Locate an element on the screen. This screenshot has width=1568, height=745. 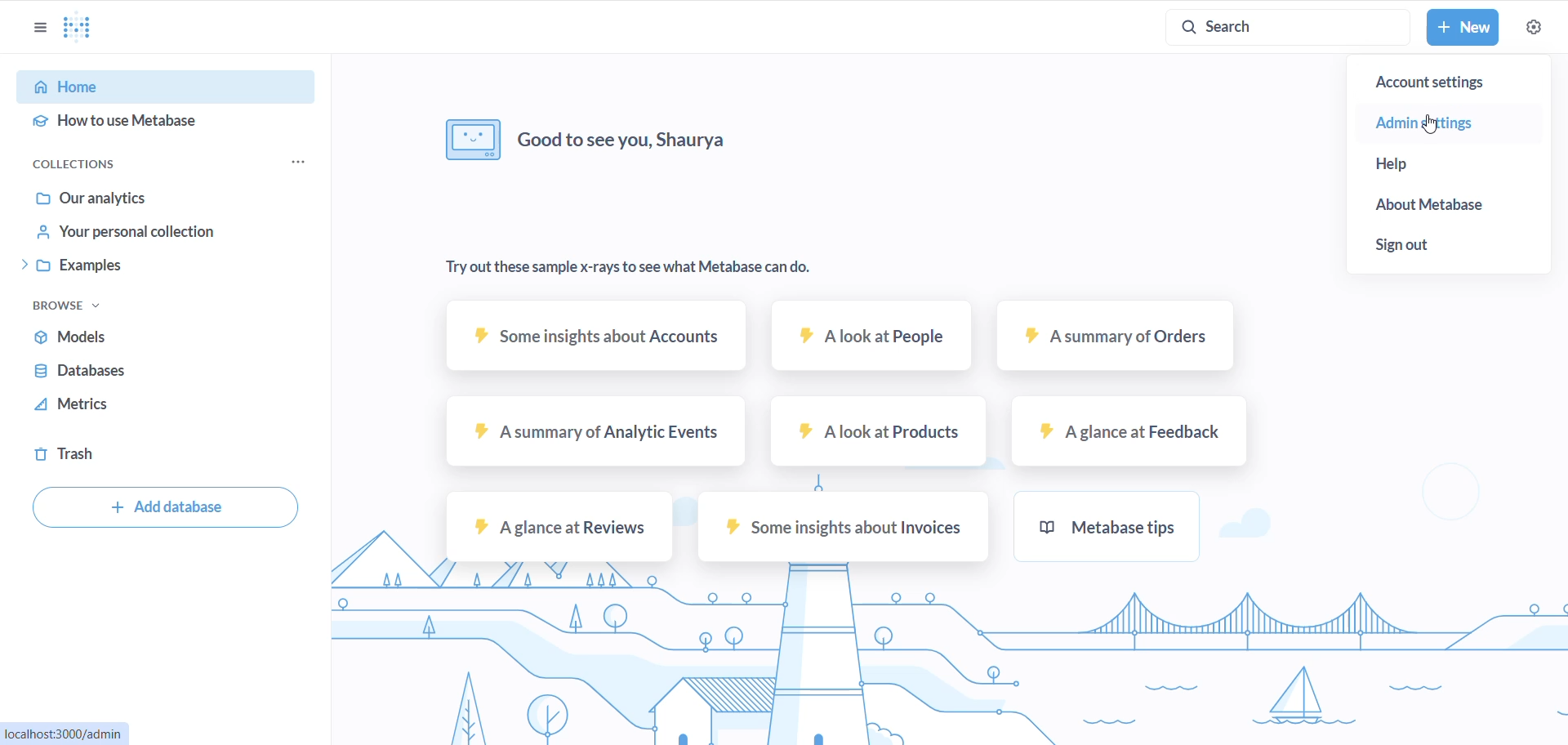
TRASH is located at coordinates (156, 453).